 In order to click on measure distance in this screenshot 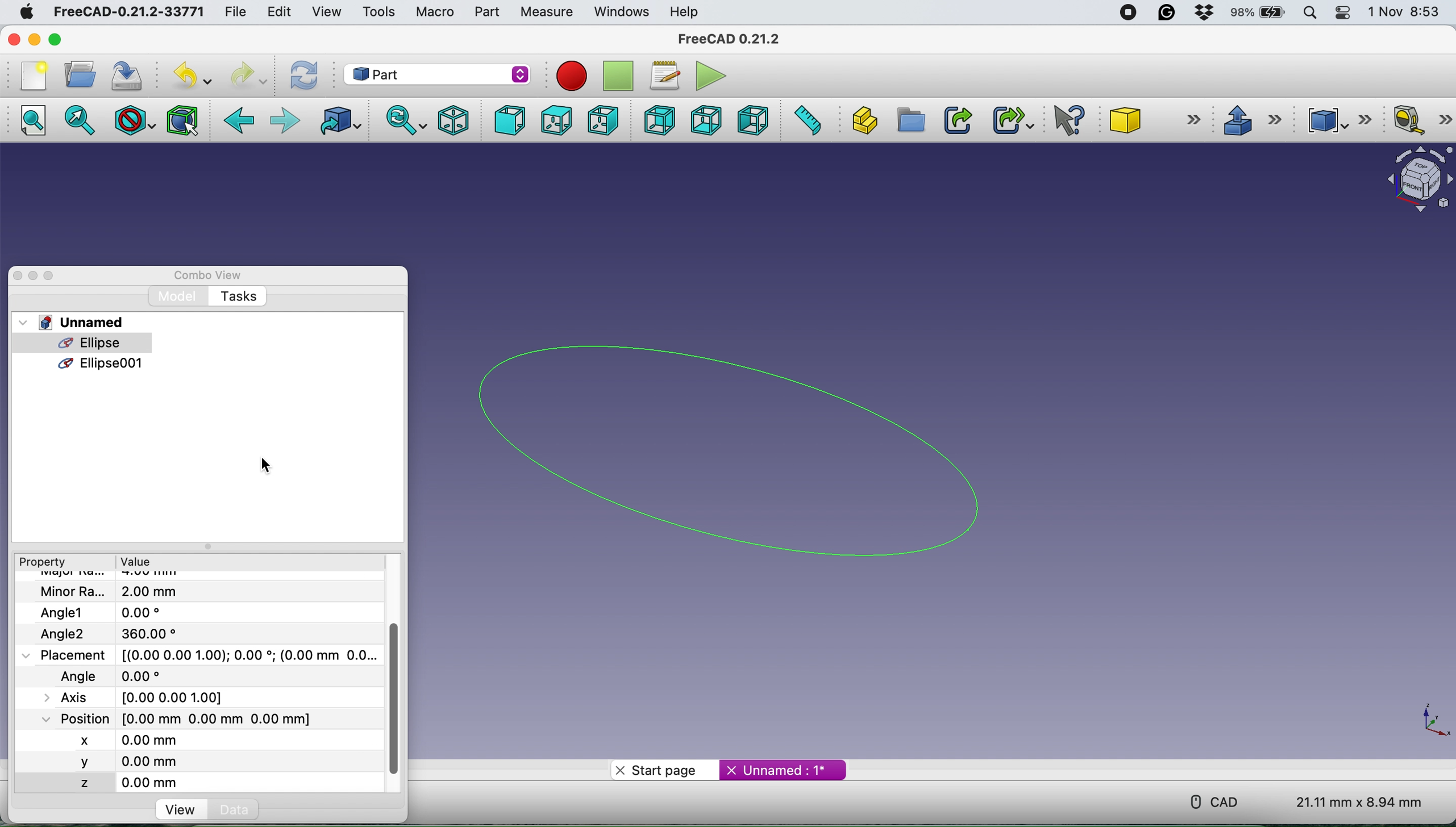, I will do `click(802, 121)`.